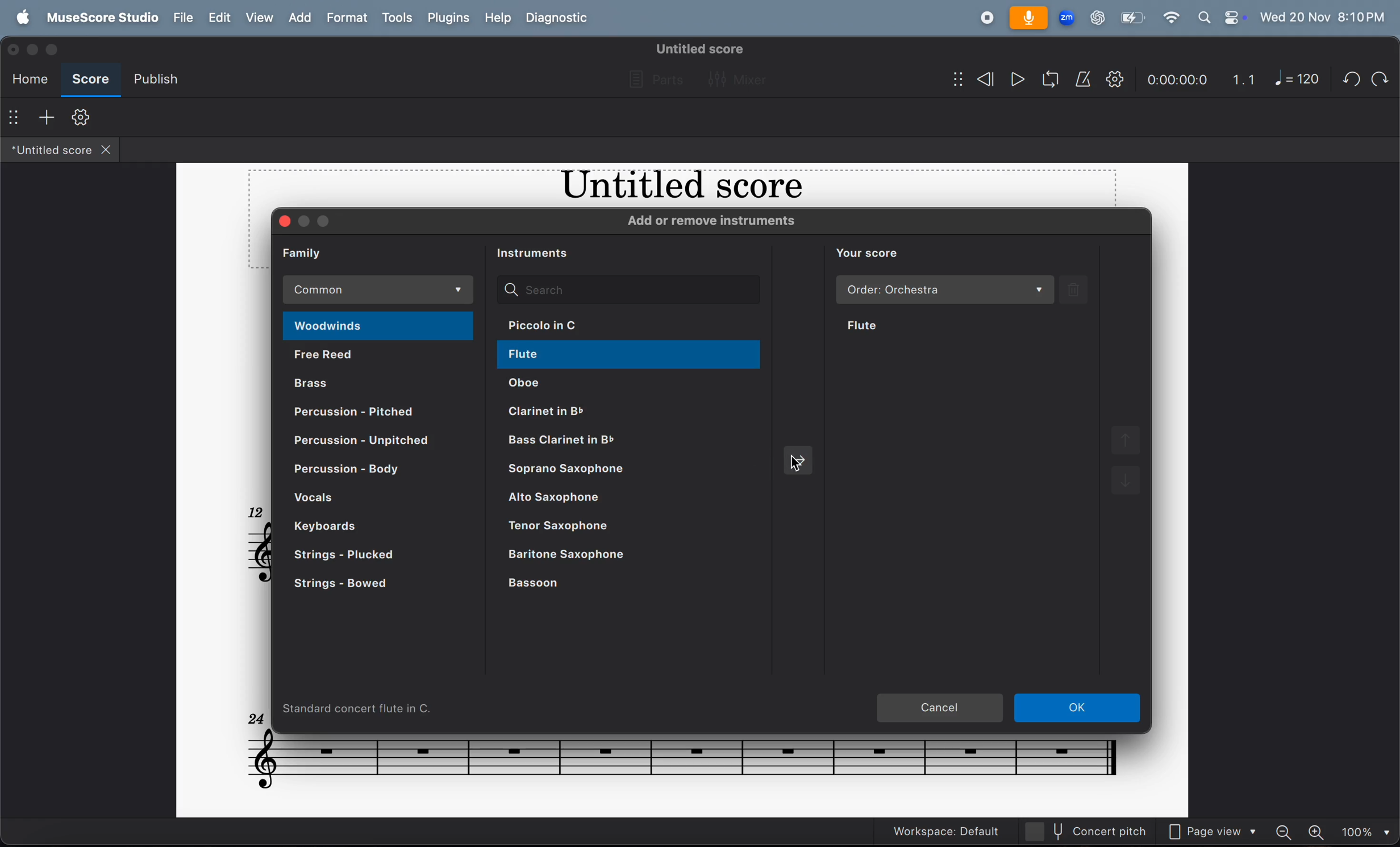 The image size is (1400, 847). I want to click on diagnostic, so click(559, 21).